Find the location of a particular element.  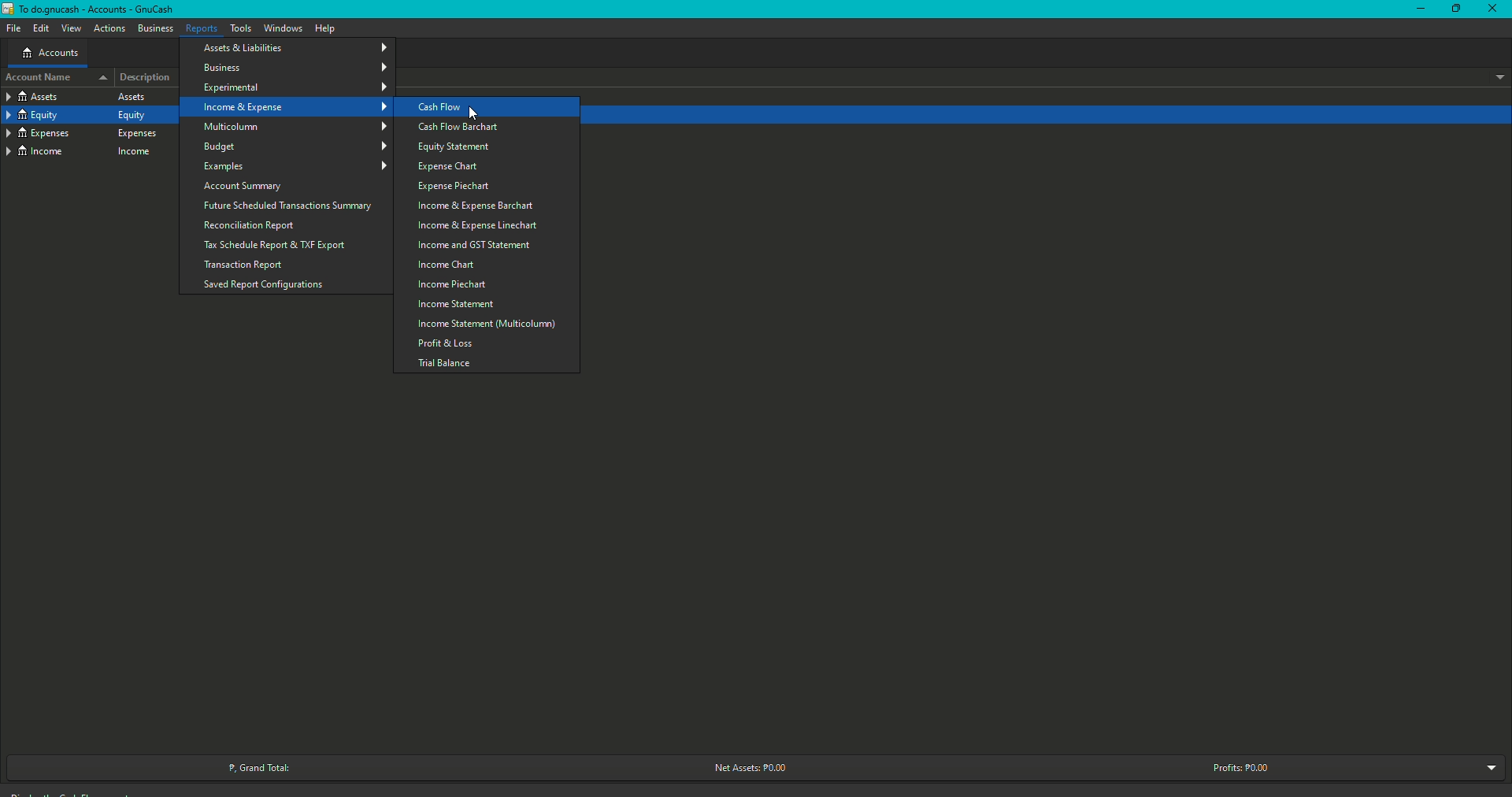

Help is located at coordinates (326, 28).